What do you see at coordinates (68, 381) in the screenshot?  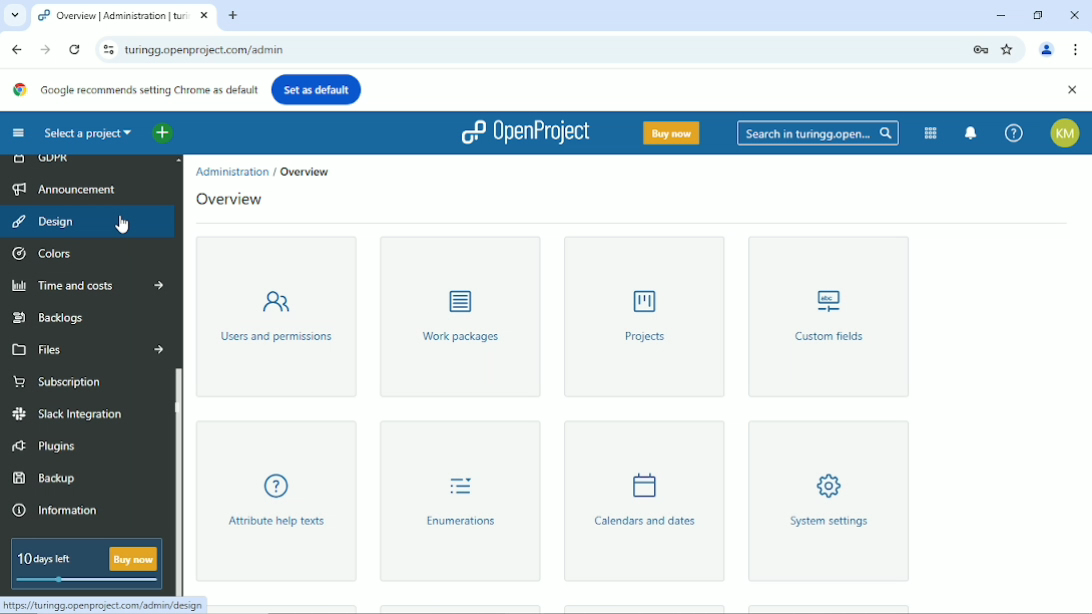 I see `Subscription` at bounding box center [68, 381].